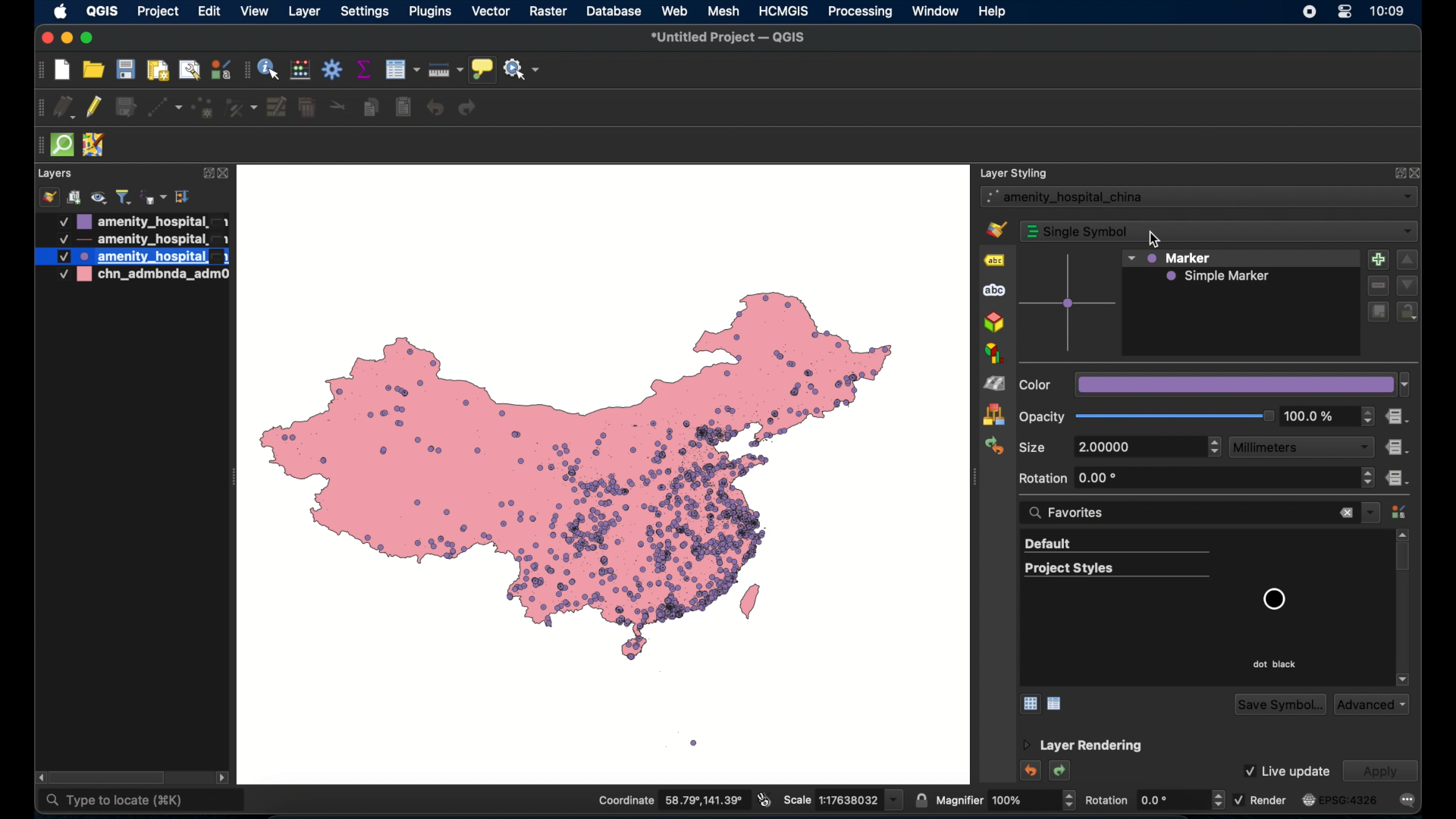 Image resolution: width=1456 pixels, height=819 pixels. What do you see at coordinates (1082, 746) in the screenshot?
I see `layer rendering` at bounding box center [1082, 746].